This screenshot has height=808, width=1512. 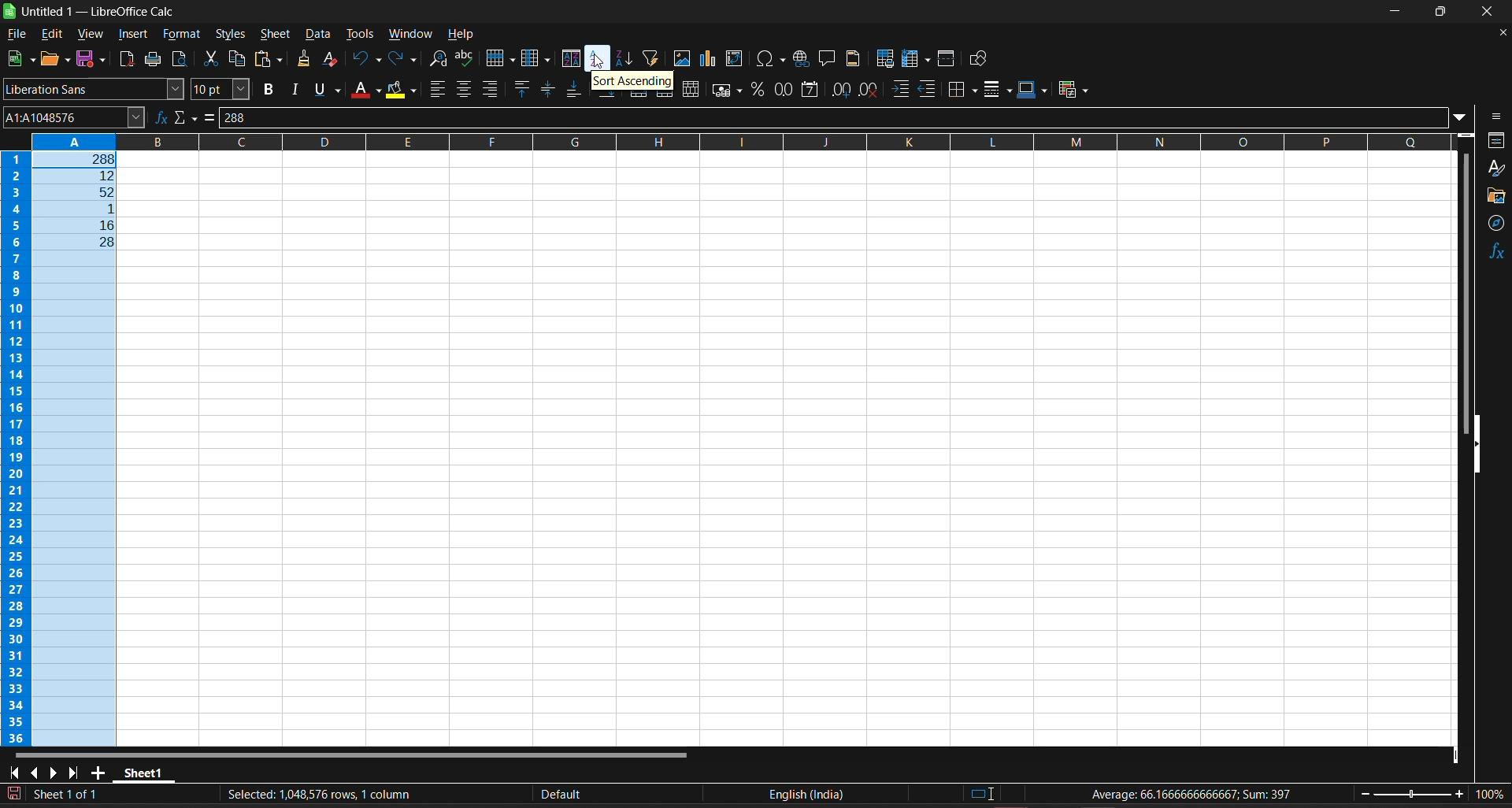 I want to click on sort, so click(x=572, y=60).